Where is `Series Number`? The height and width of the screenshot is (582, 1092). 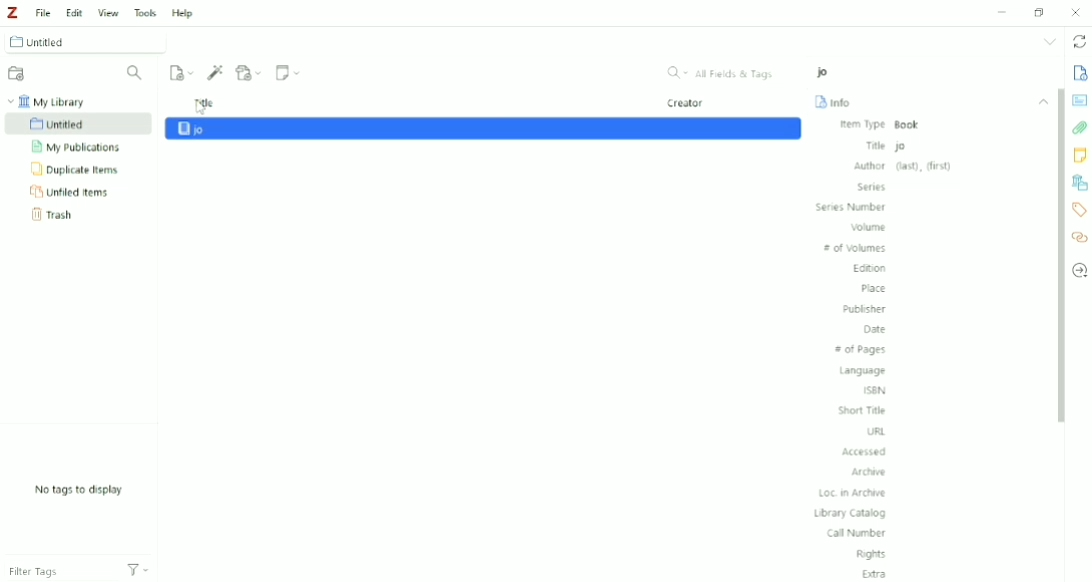 Series Number is located at coordinates (852, 207).